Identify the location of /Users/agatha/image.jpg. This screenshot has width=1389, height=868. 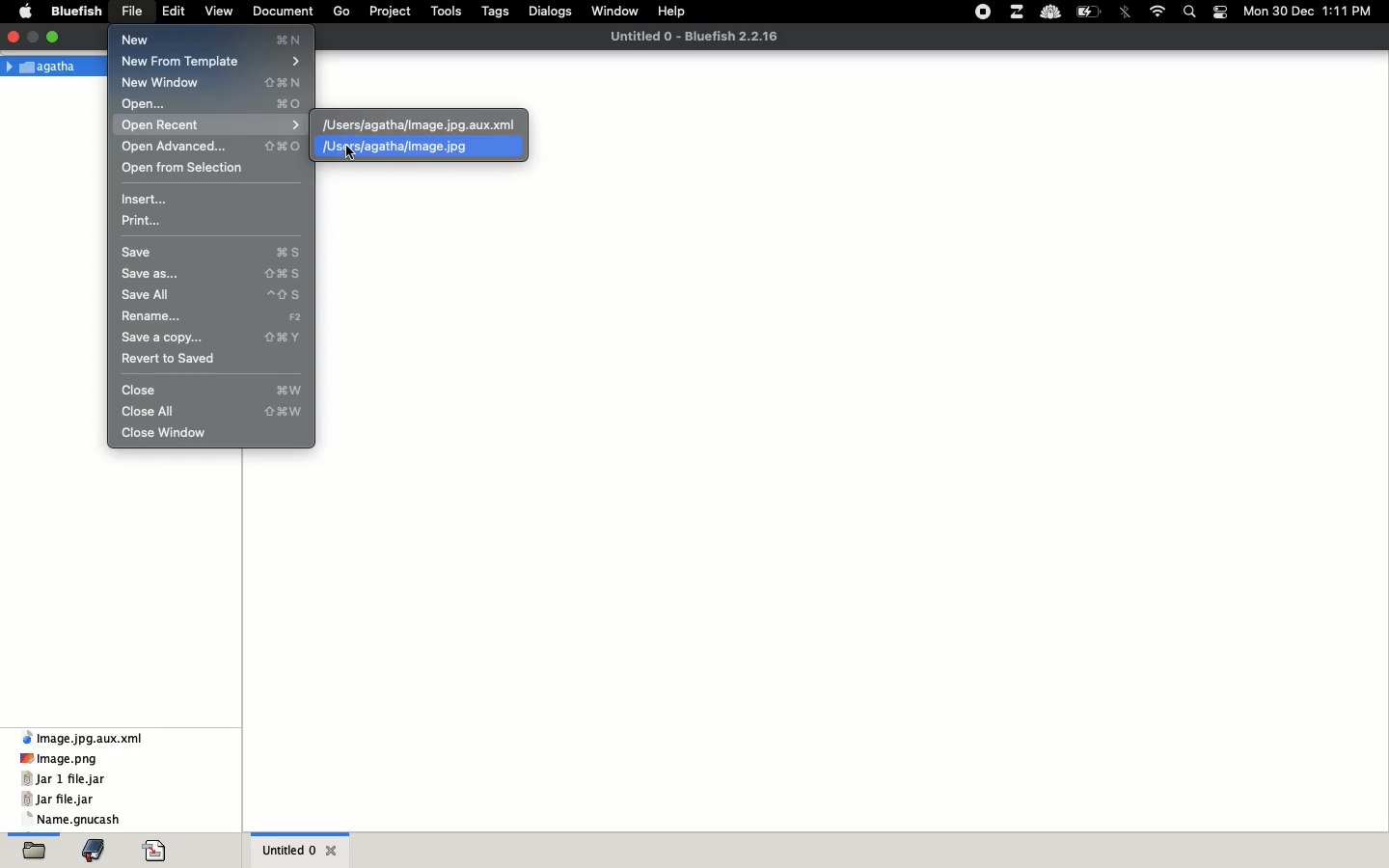
(395, 147).